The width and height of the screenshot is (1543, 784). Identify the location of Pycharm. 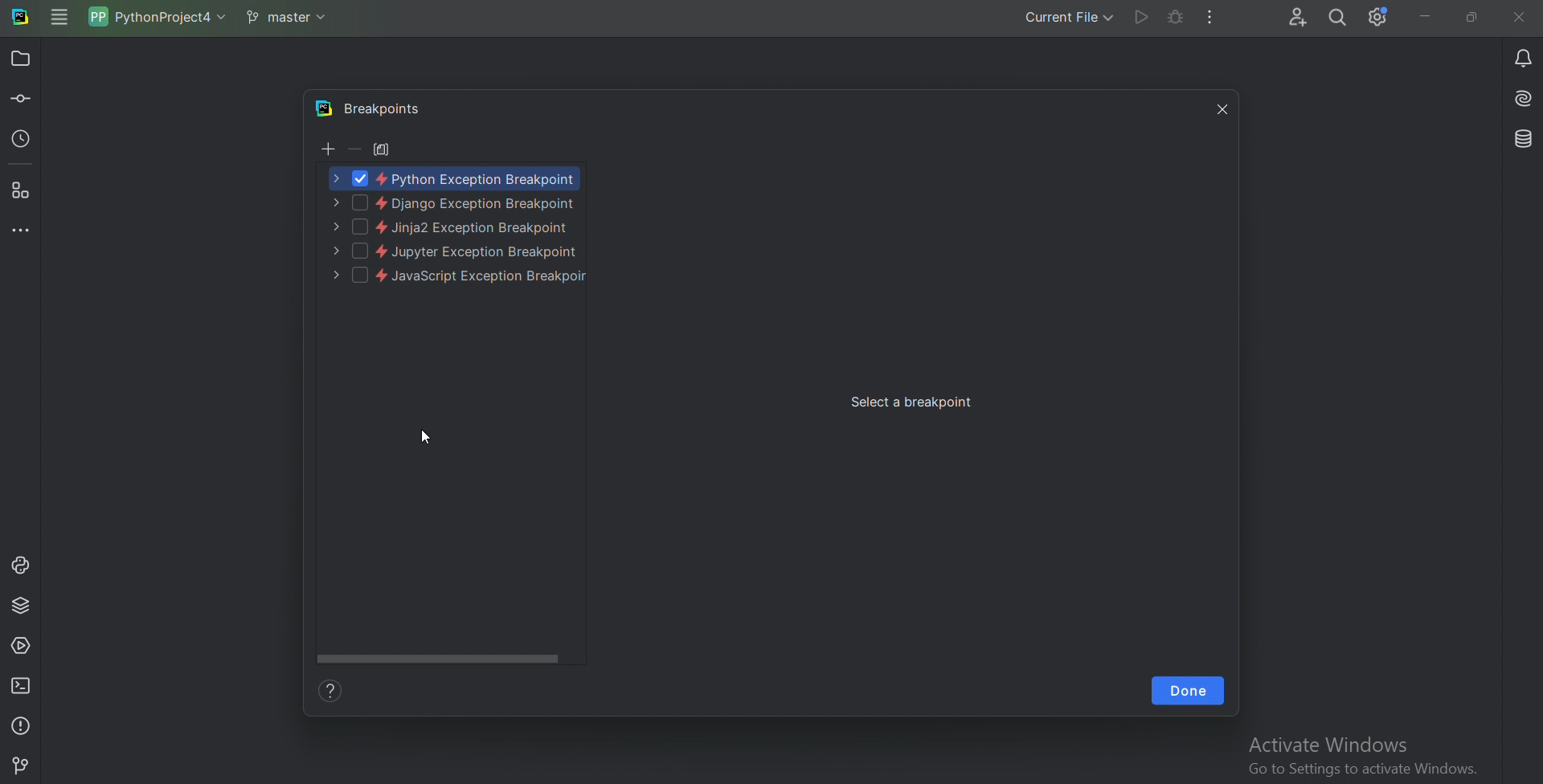
(322, 108).